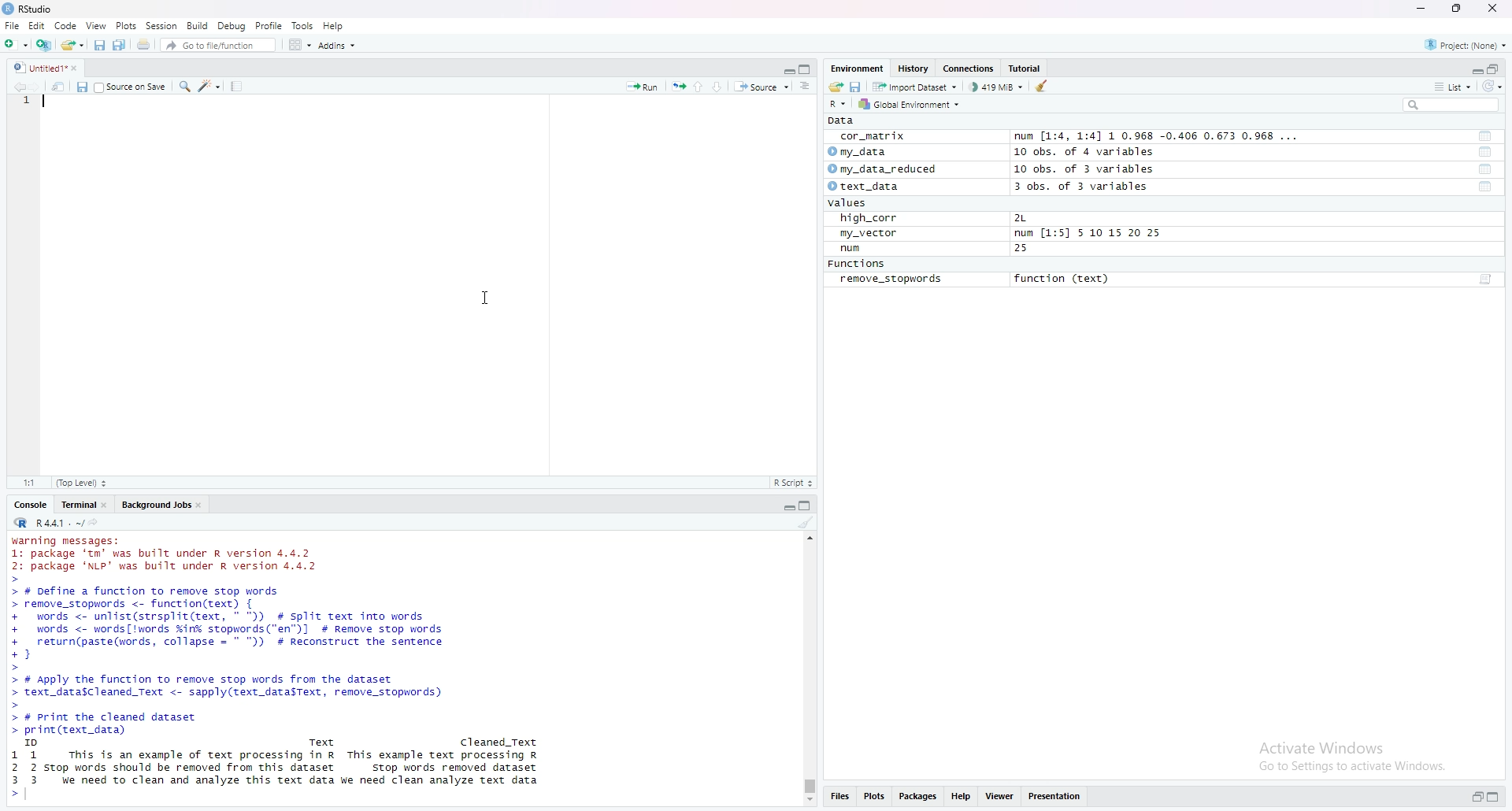 This screenshot has width=1512, height=811. What do you see at coordinates (1089, 153) in the screenshot?
I see `10 obs. of 4 variables` at bounding box center [1089, 153].